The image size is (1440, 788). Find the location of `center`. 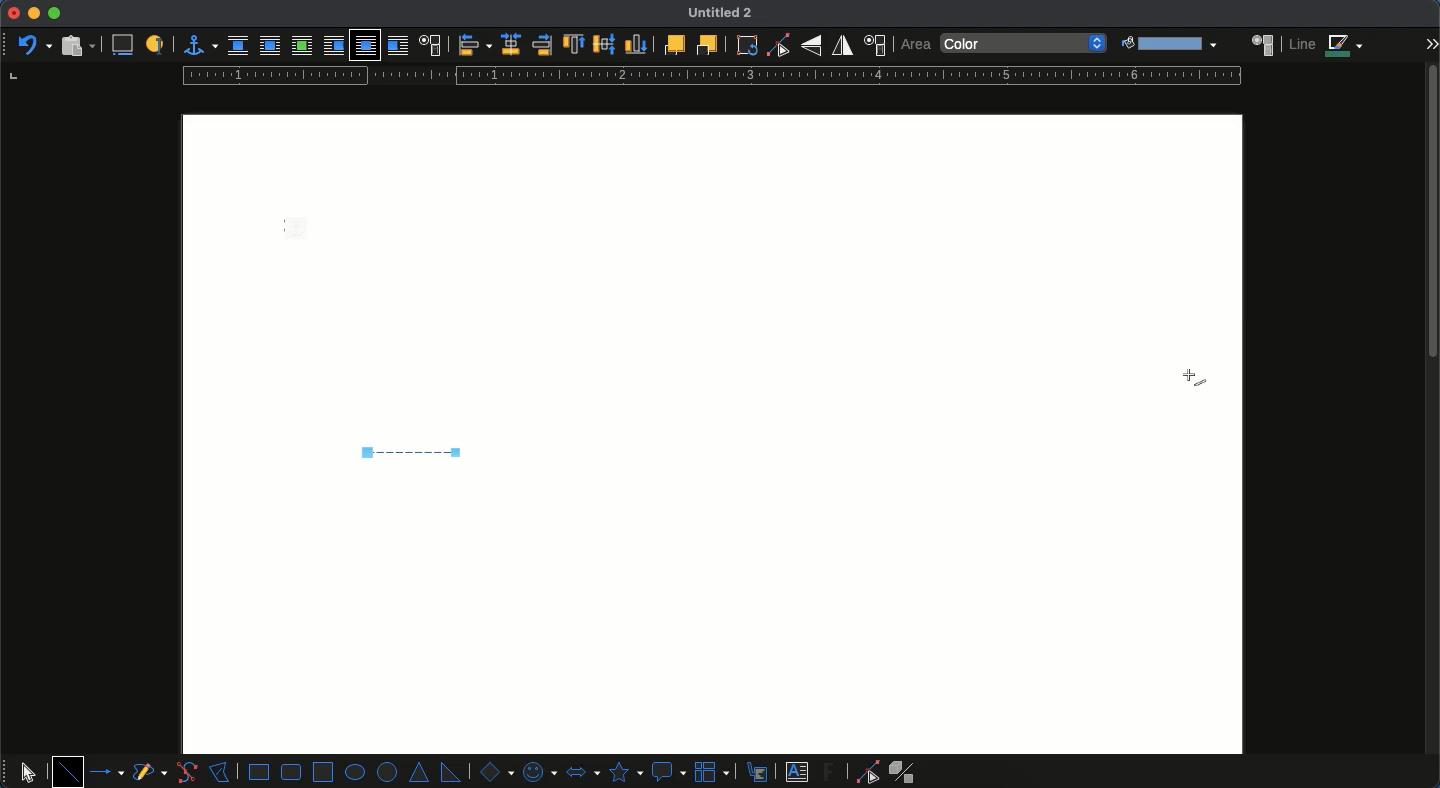

center is located at coordinates (511, 44).